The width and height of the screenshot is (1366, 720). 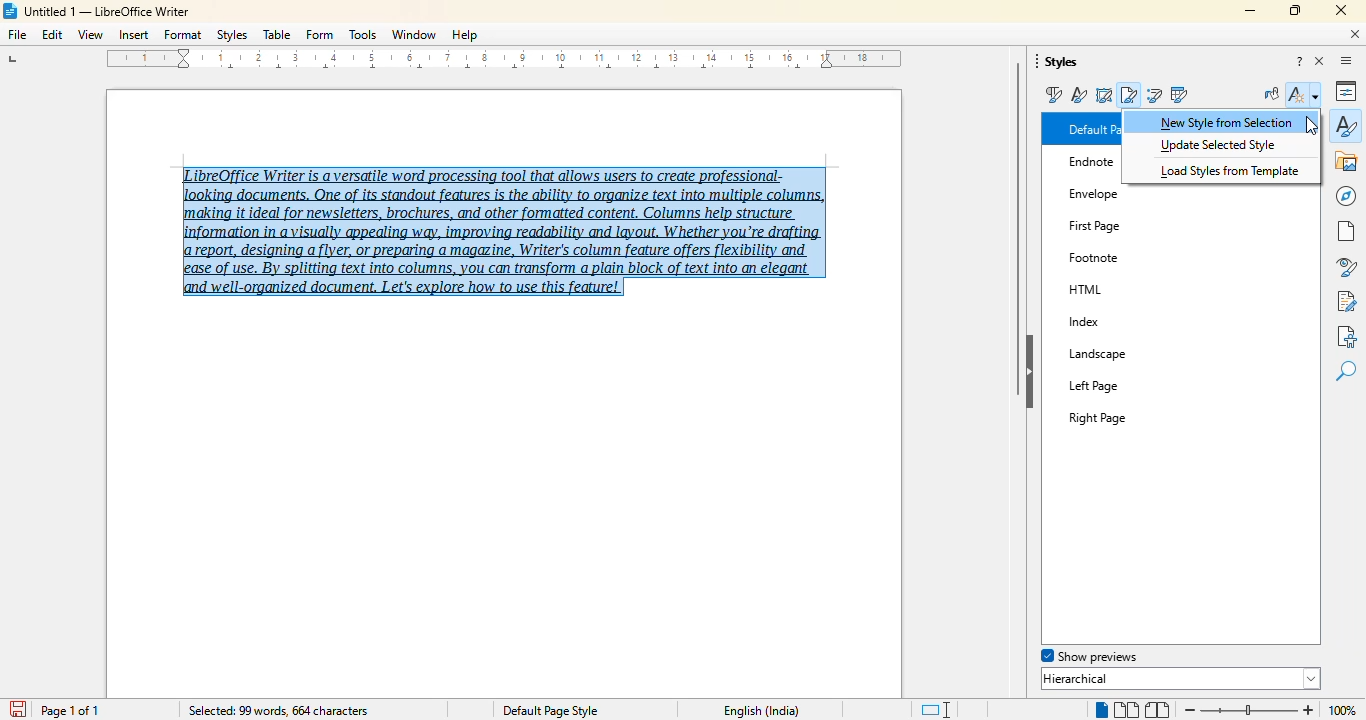 I want to click on ruler, so click(x=508, y=62).